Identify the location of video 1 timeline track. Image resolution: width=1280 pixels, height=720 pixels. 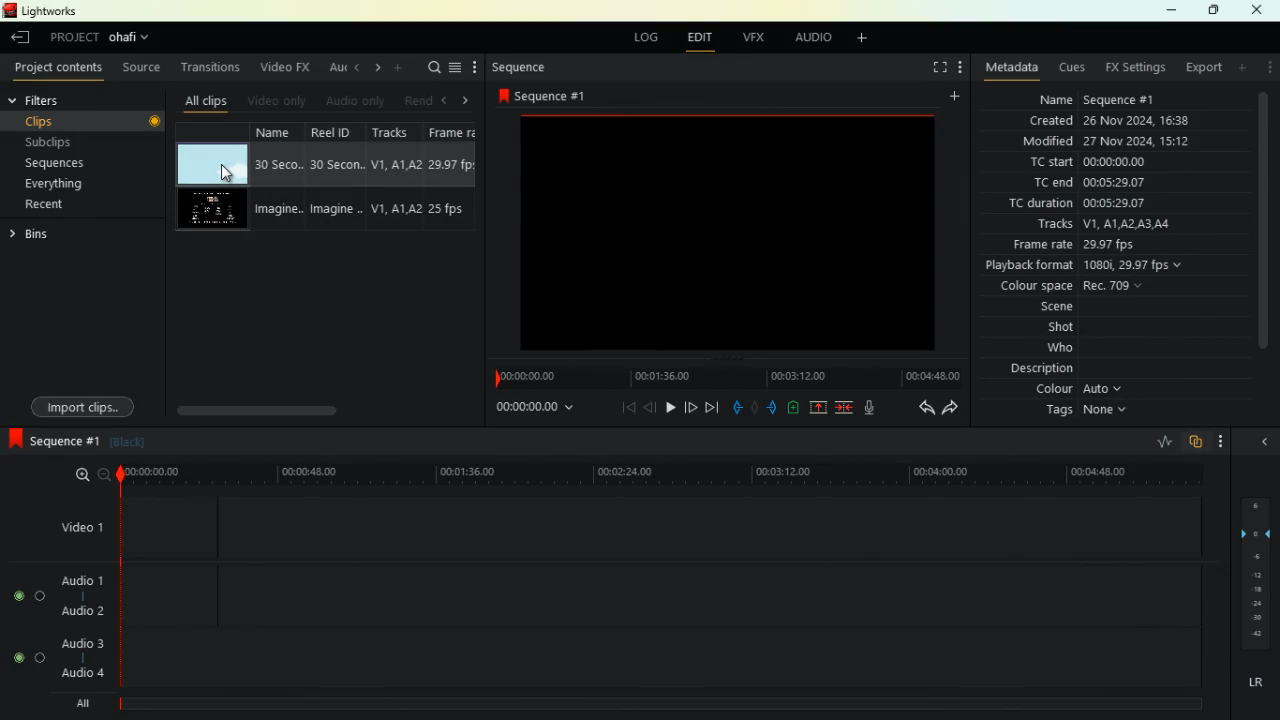
(666, 529).